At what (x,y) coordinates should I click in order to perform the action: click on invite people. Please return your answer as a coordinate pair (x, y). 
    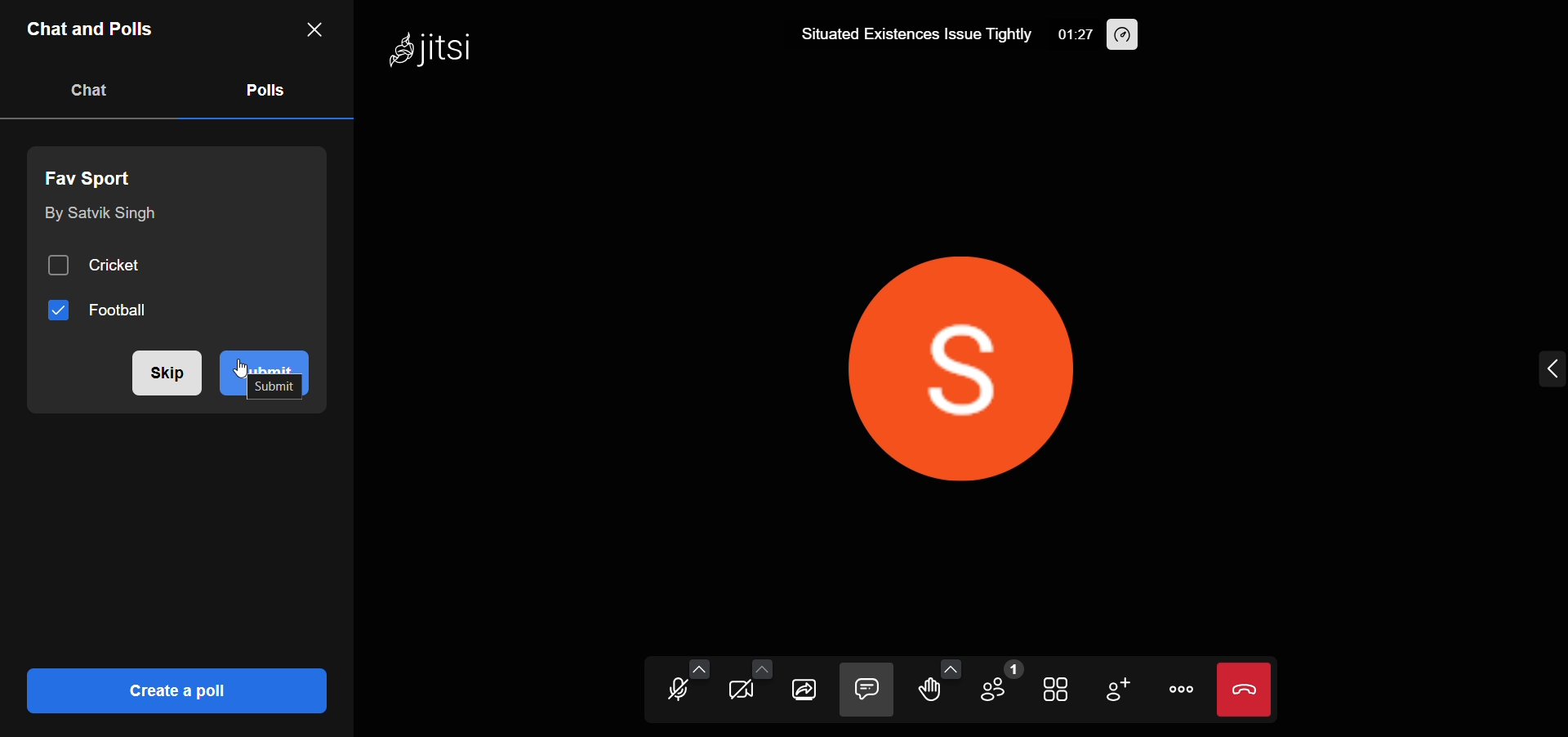
    Looking at the image, I should click on (1122, 687).